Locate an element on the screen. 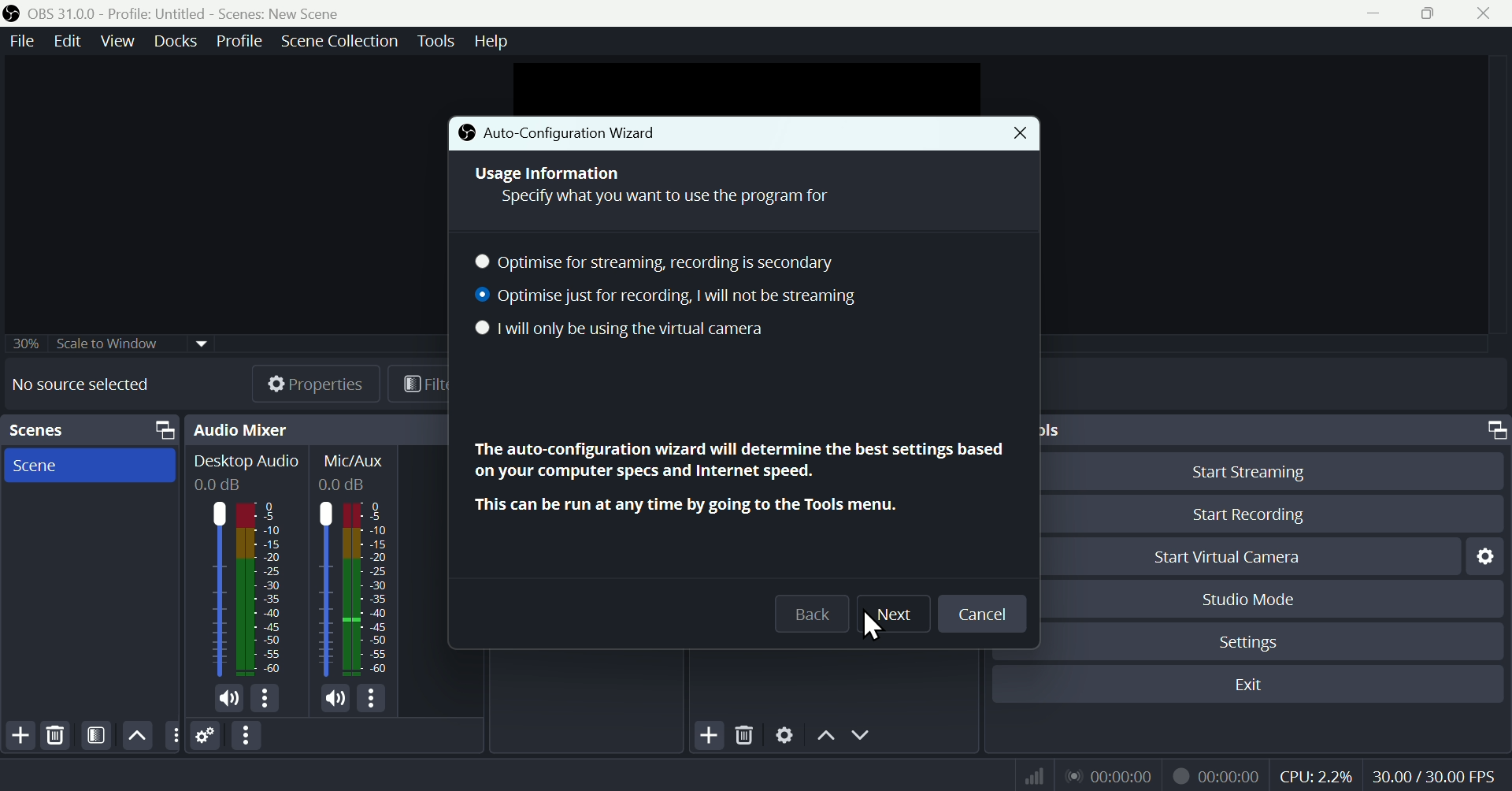  Settings is located at coordinates (785, 733).